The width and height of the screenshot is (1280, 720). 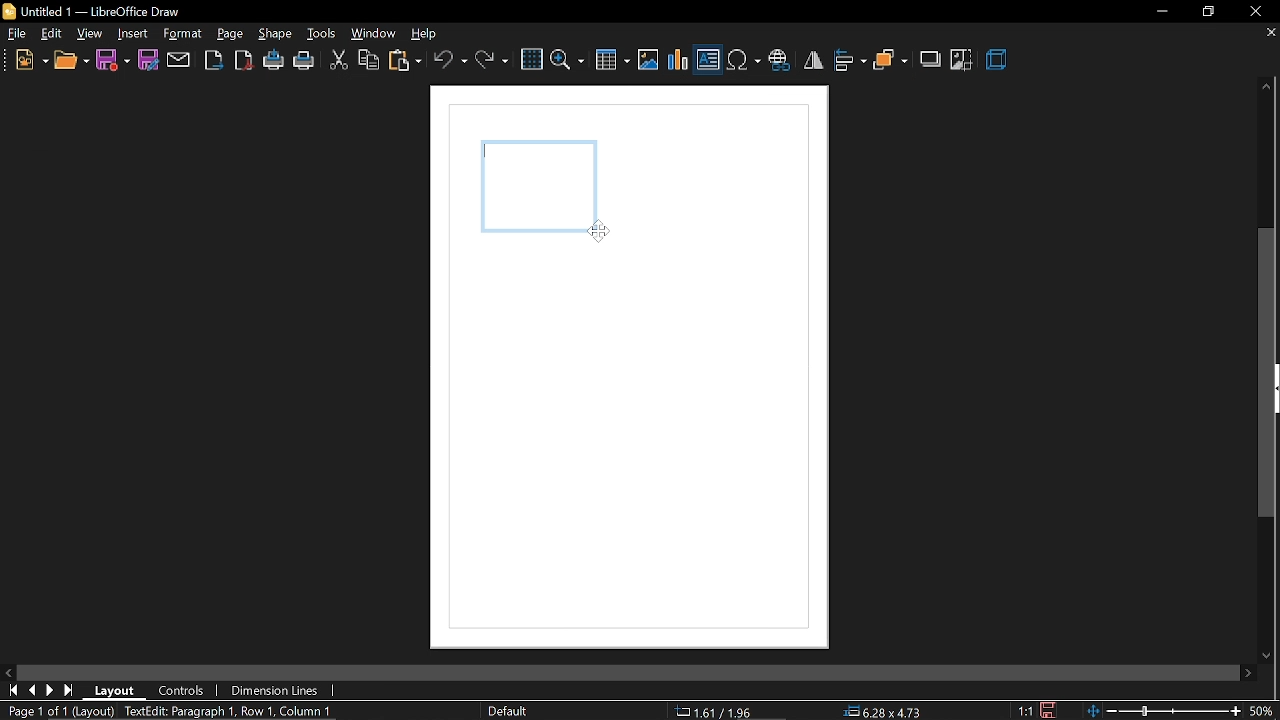 What do you see at coordinates (35, 692) in the screenshot?
I see `previous page` at bounding box center [35, 692].